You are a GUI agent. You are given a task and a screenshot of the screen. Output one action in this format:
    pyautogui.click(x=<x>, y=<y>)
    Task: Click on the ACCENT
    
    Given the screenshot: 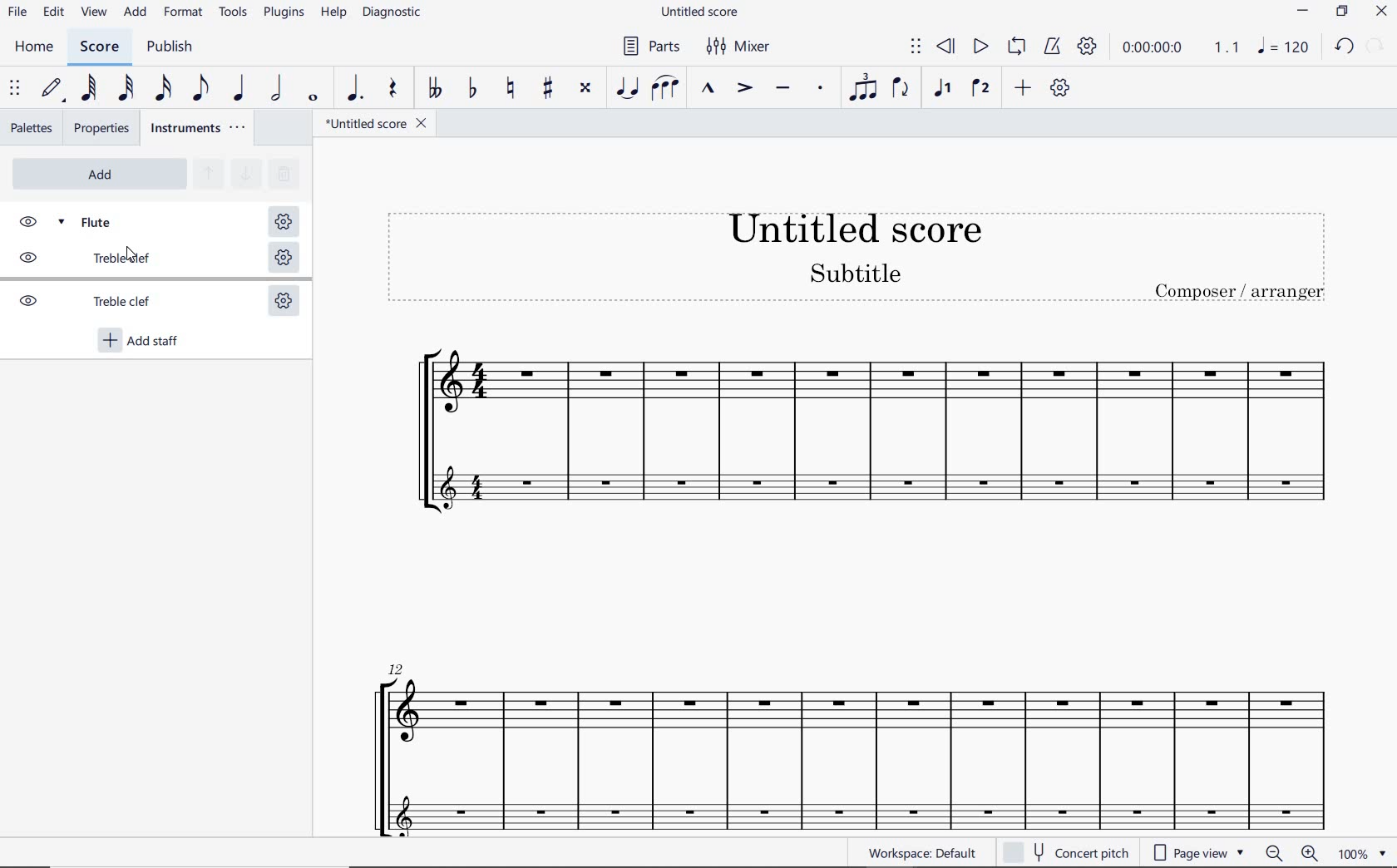 What is the action you would take?
    pyautogui.click(x=743, y=89)
    